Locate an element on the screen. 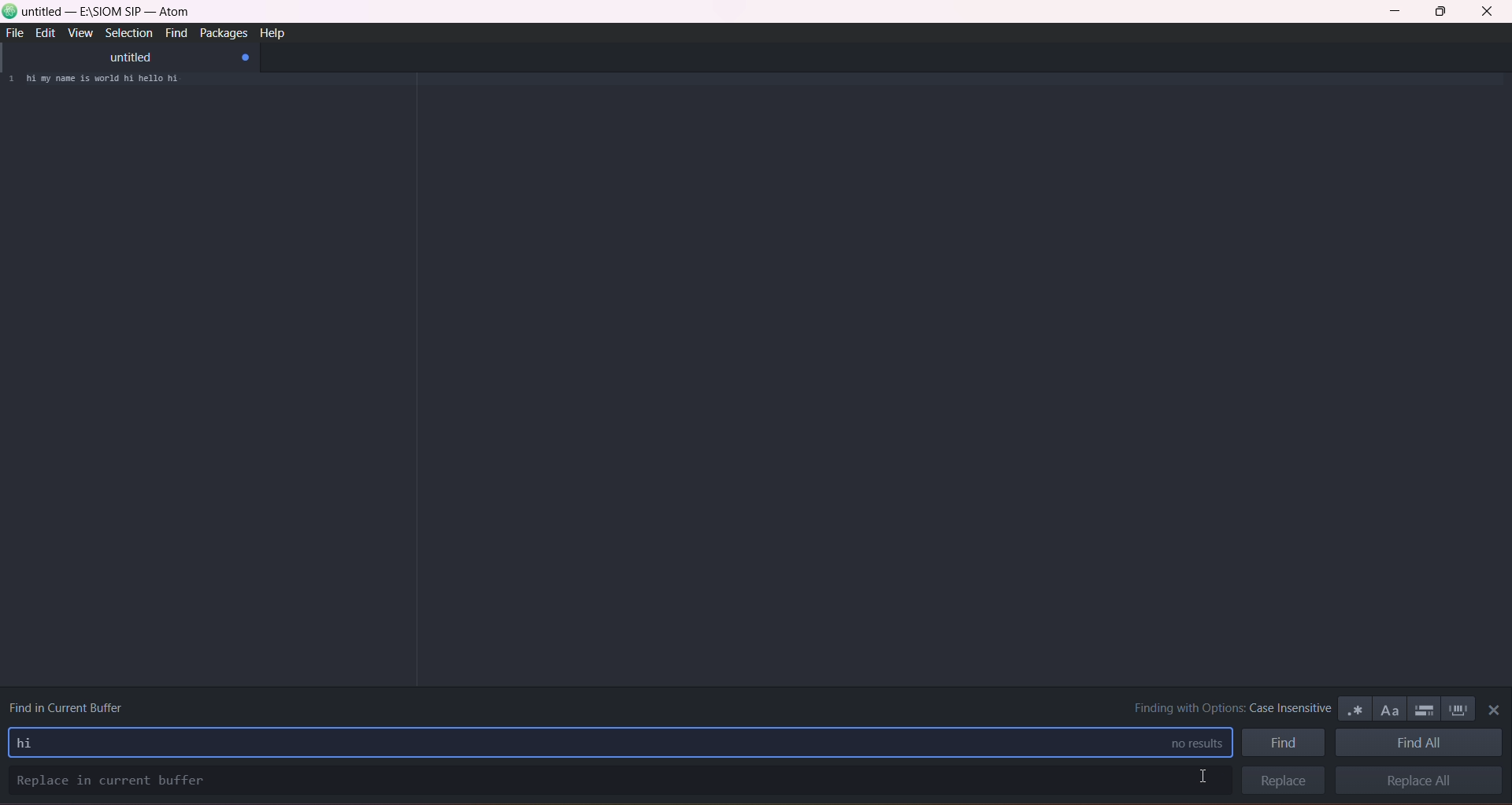 This screenshot has height=805, width=1512. untitled-e:\siom sp-atom is located at coordinates (108, 13).